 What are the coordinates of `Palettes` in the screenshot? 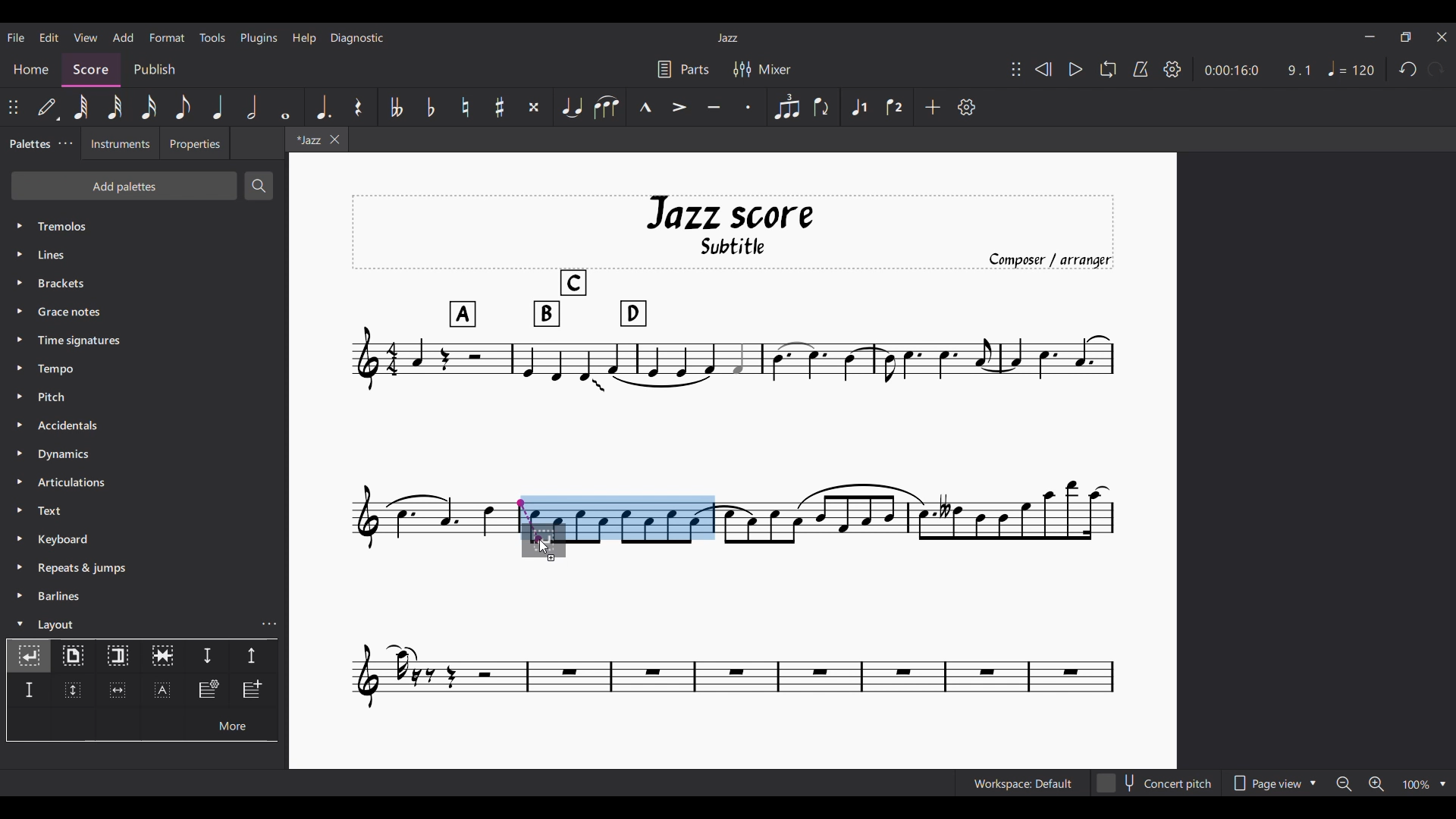 It's located at (29, 145).